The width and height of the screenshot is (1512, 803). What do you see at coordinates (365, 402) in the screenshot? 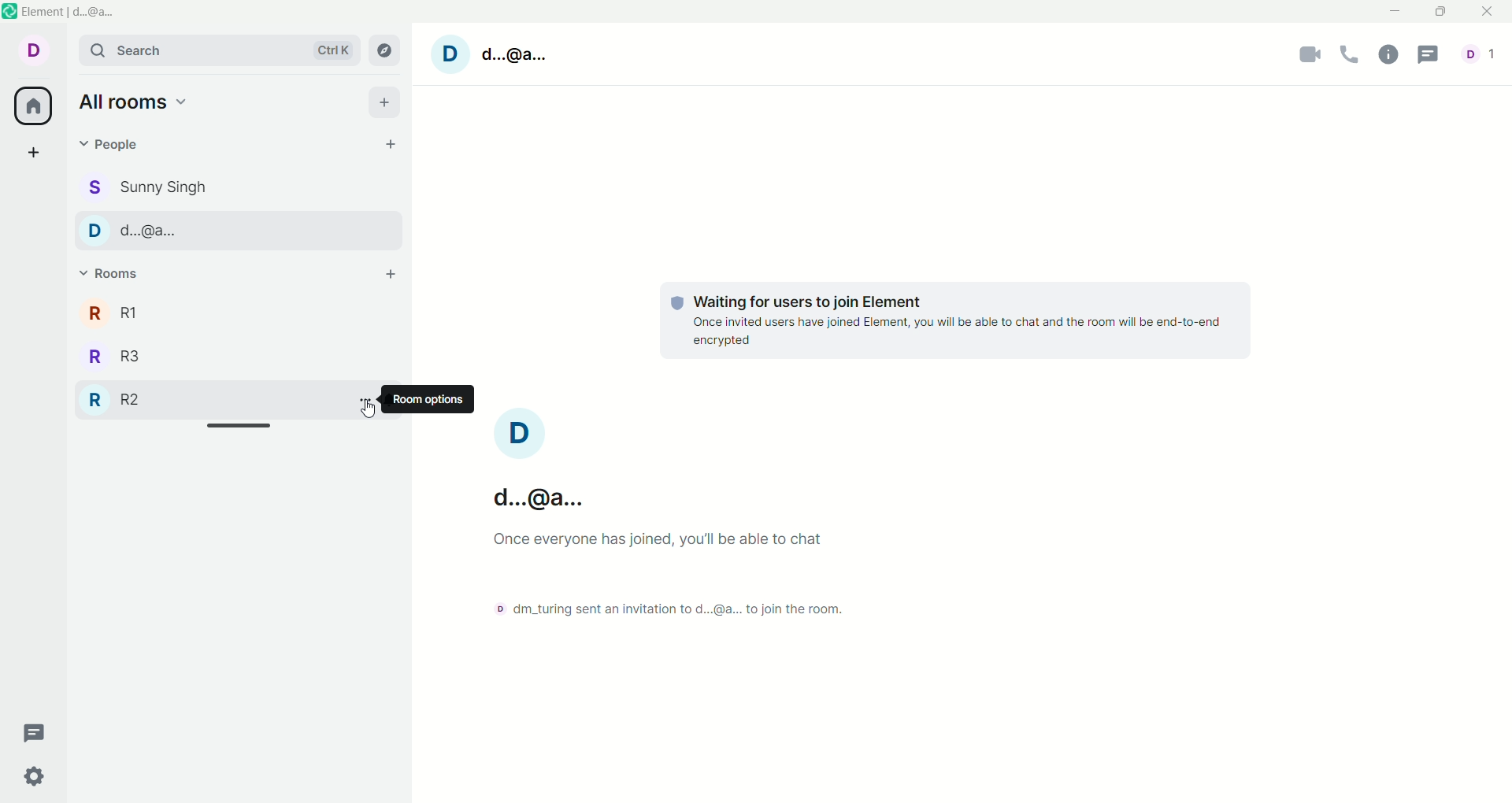
I see `option` at bounding box center [365, 402].